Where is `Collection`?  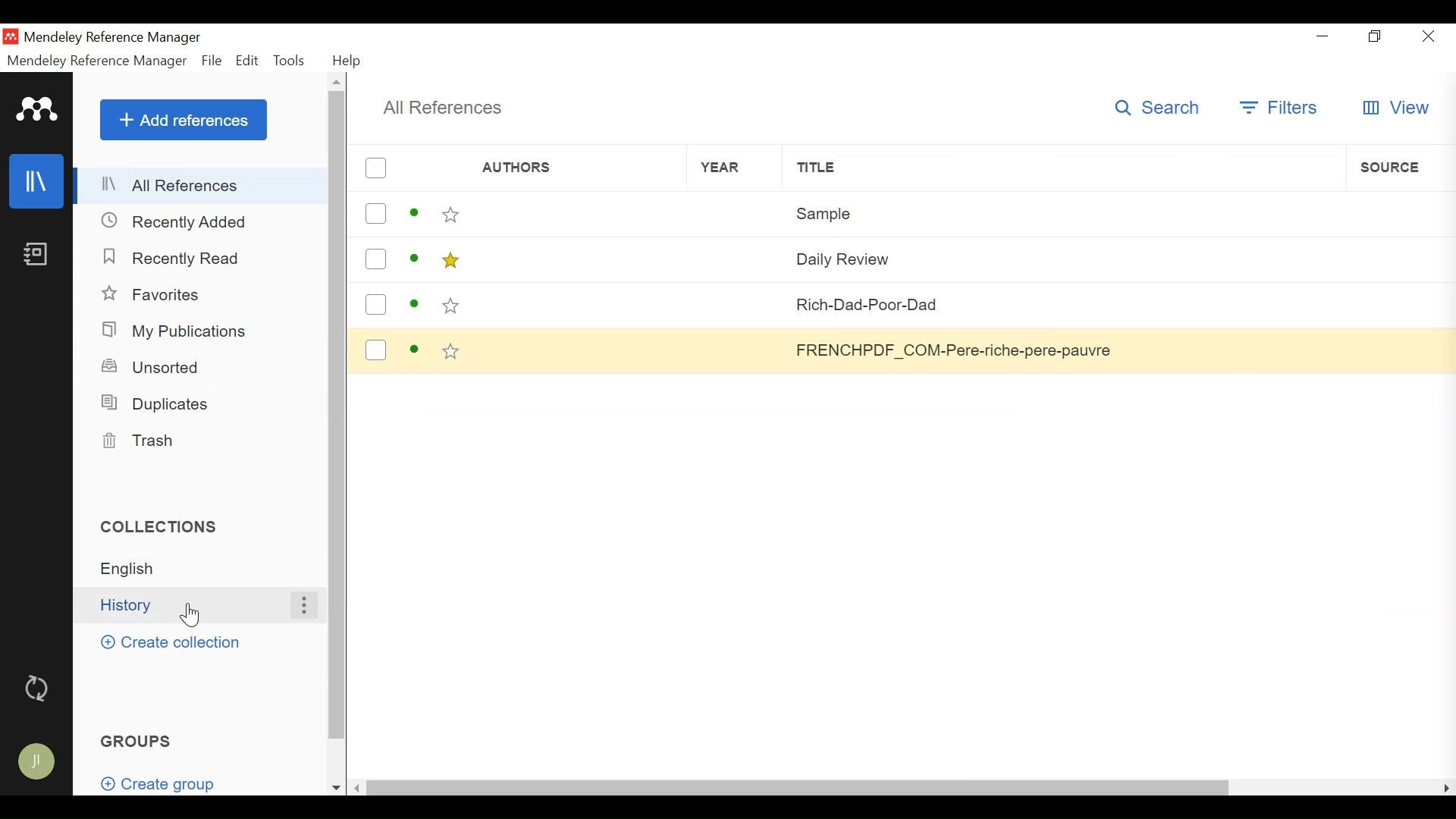 Collection is located at coordinates (206, 569).